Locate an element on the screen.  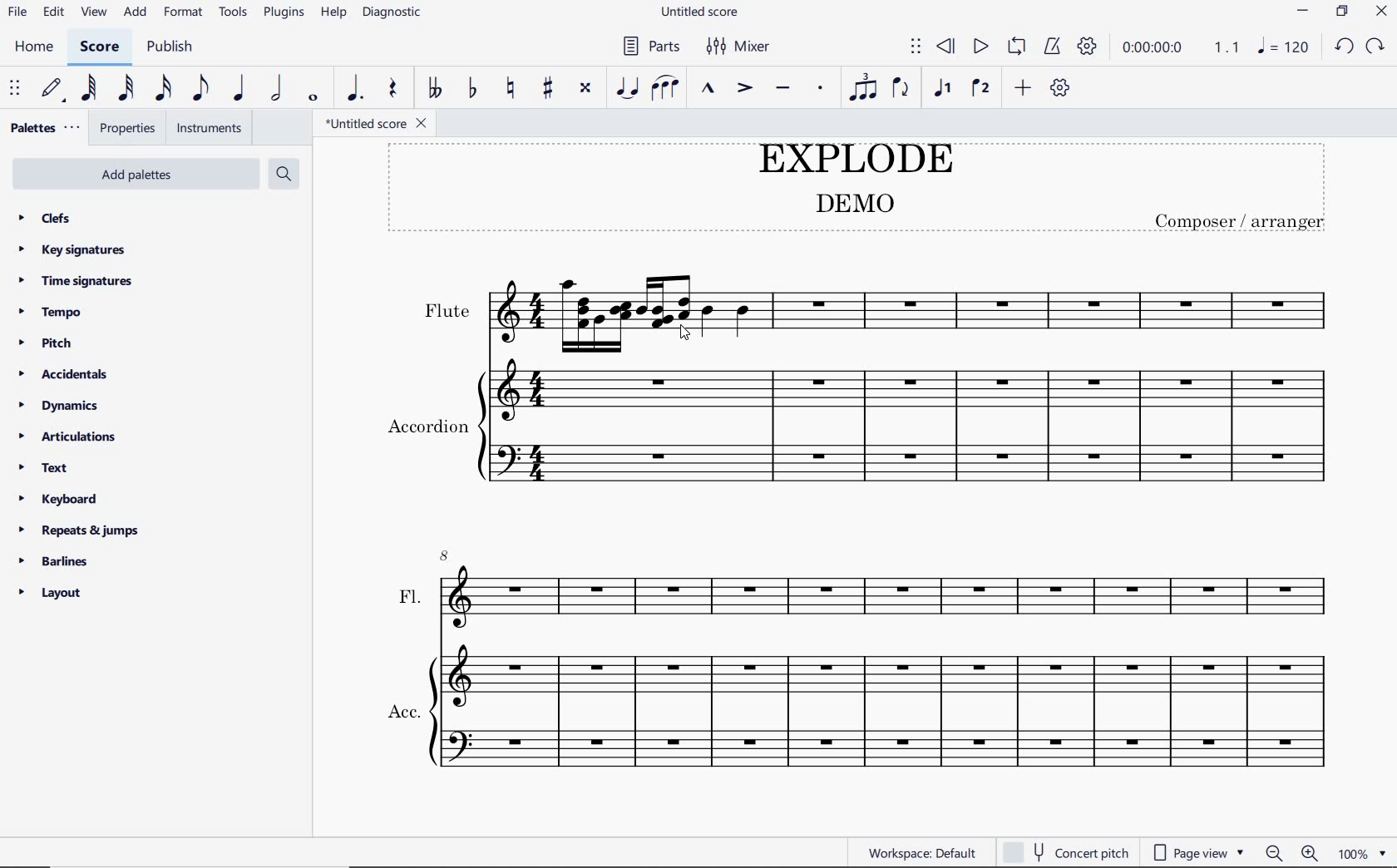
title is located at coordinates (858, 189).